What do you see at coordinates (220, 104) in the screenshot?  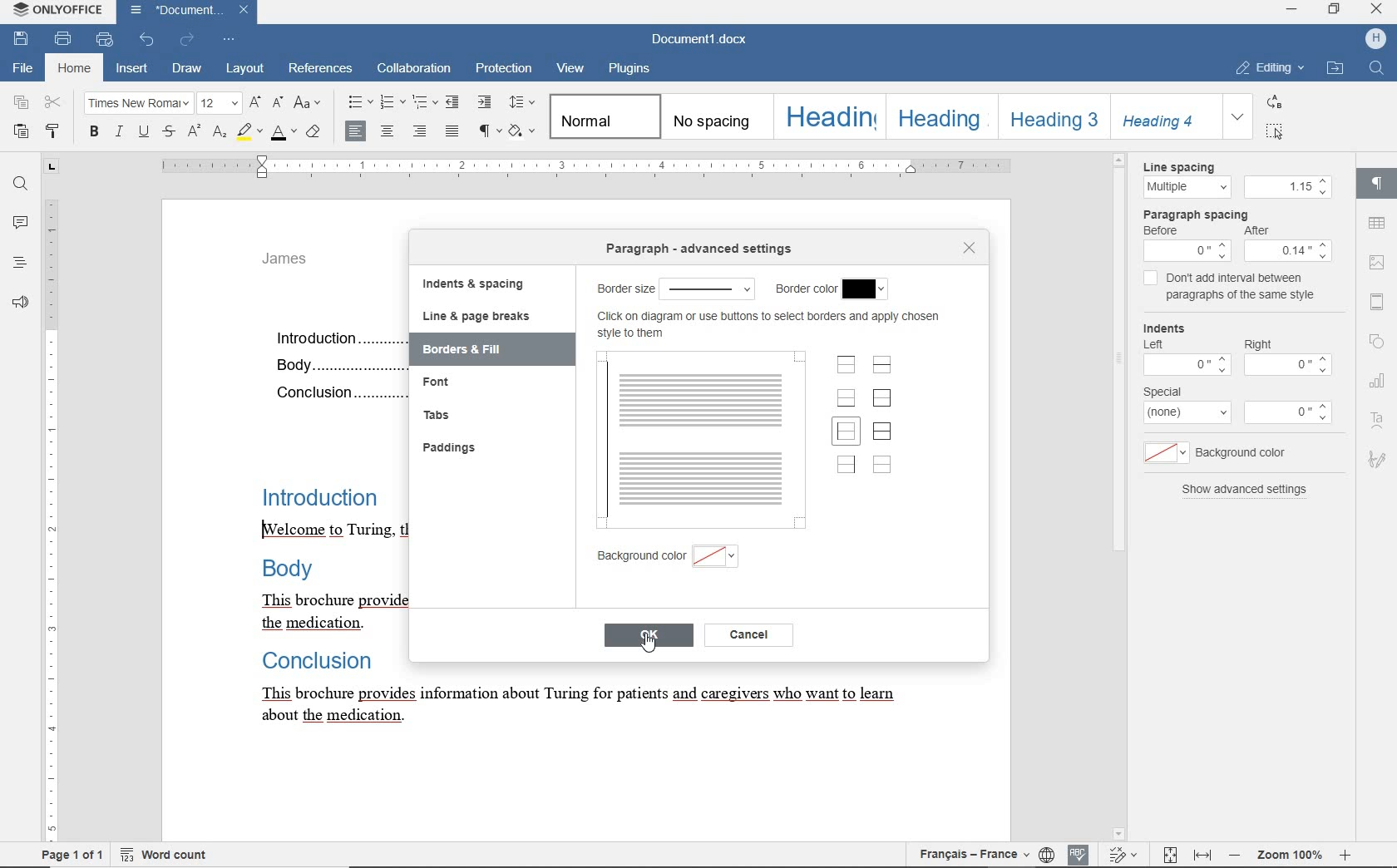 I see `font size` at bounding box center [220, 104].